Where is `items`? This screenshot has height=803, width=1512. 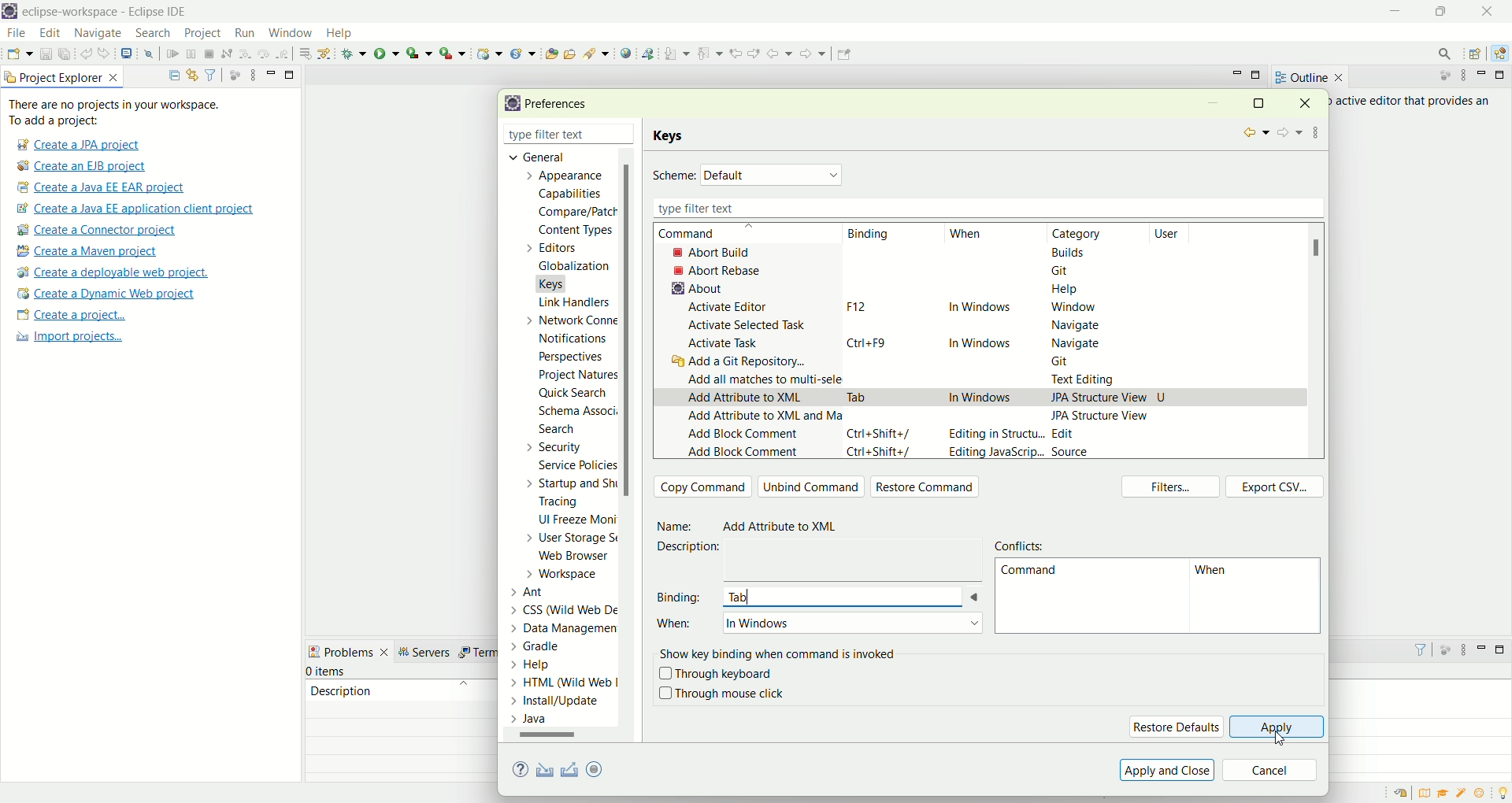 items is located at coordinates (328, 672).